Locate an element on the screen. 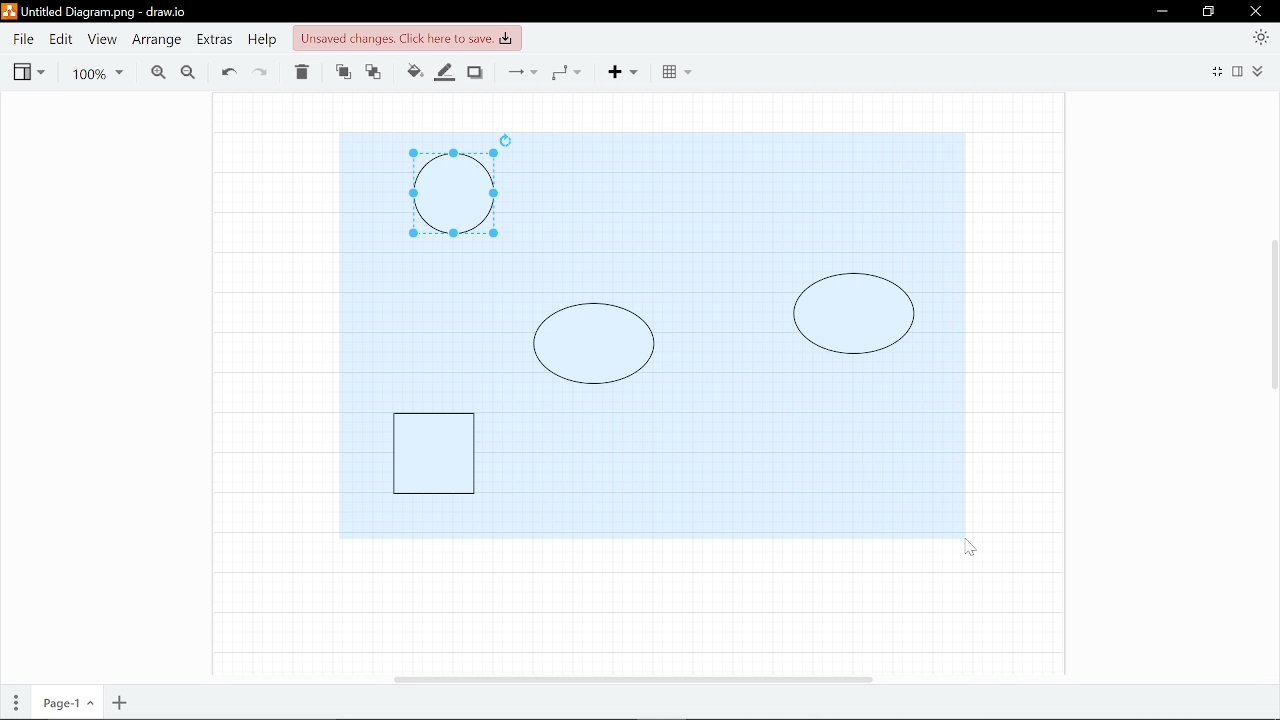  Shadow is located at coordinates (478, 71).